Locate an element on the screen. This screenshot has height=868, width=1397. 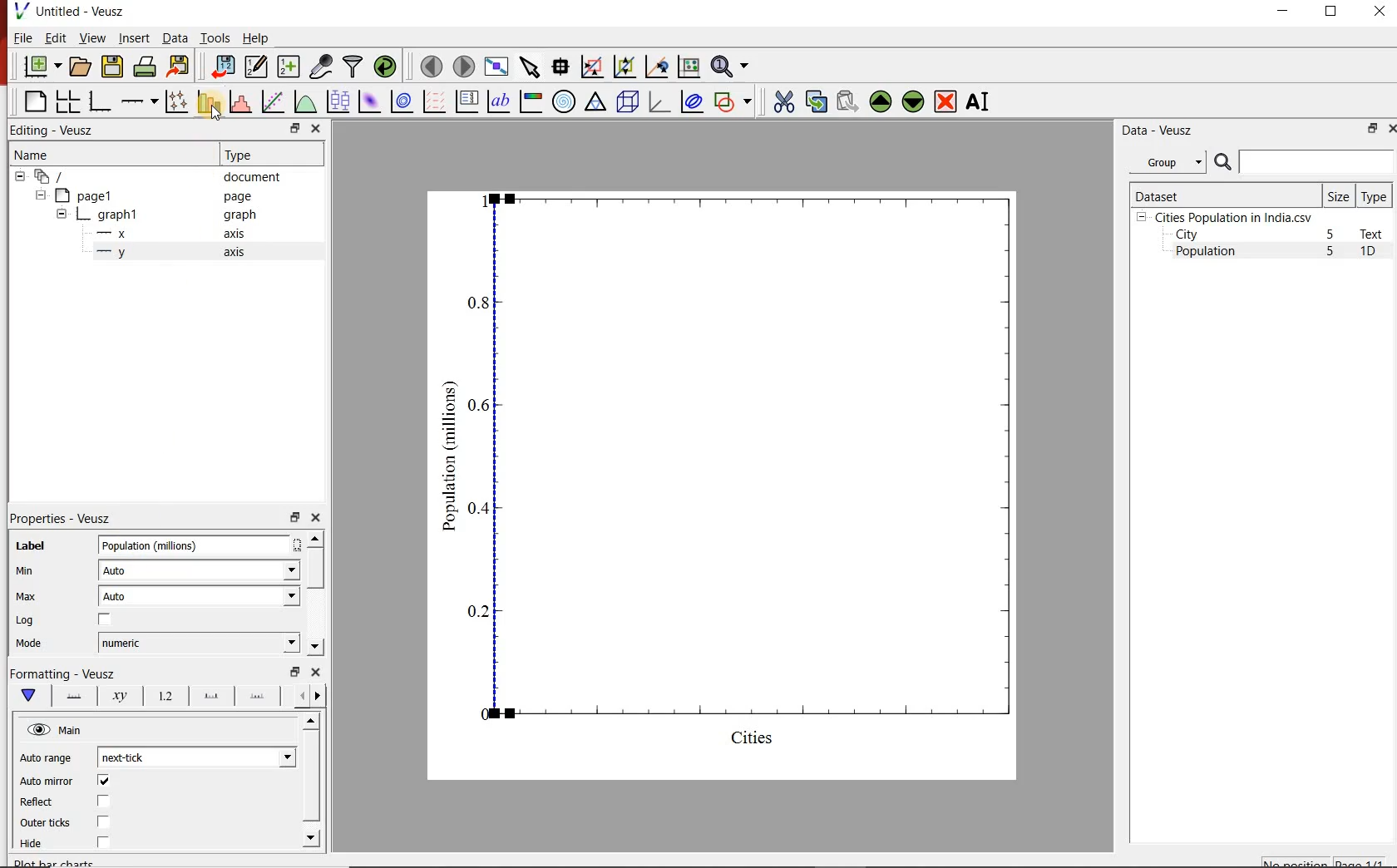
MINIMIZE is located at coordinates (1284, 11).